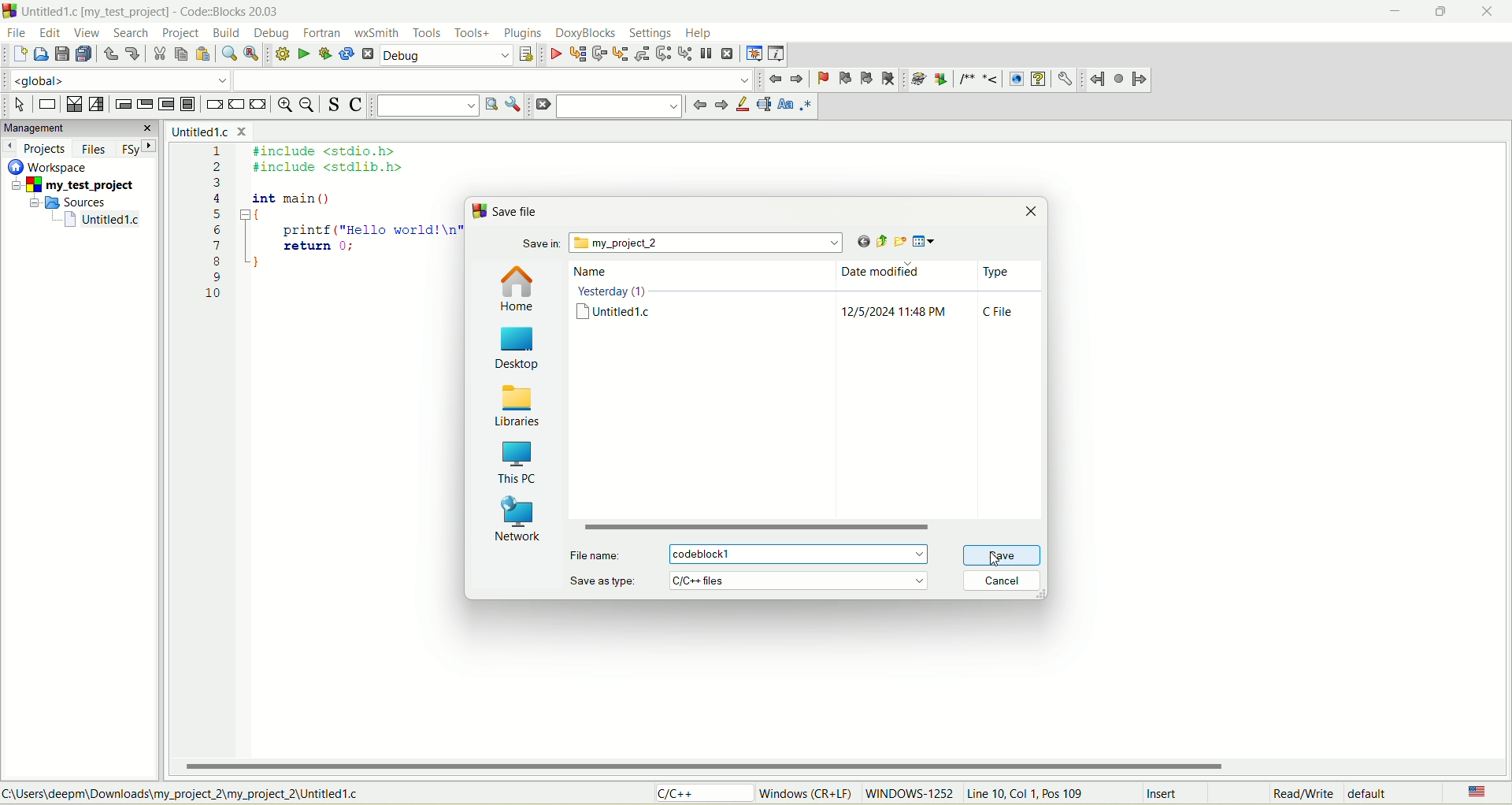 This screenshot has width=1512, height=805. What do you see at coordinates (228, 54) in the screenshot?
I see `find` at bounding box center [228, 54].